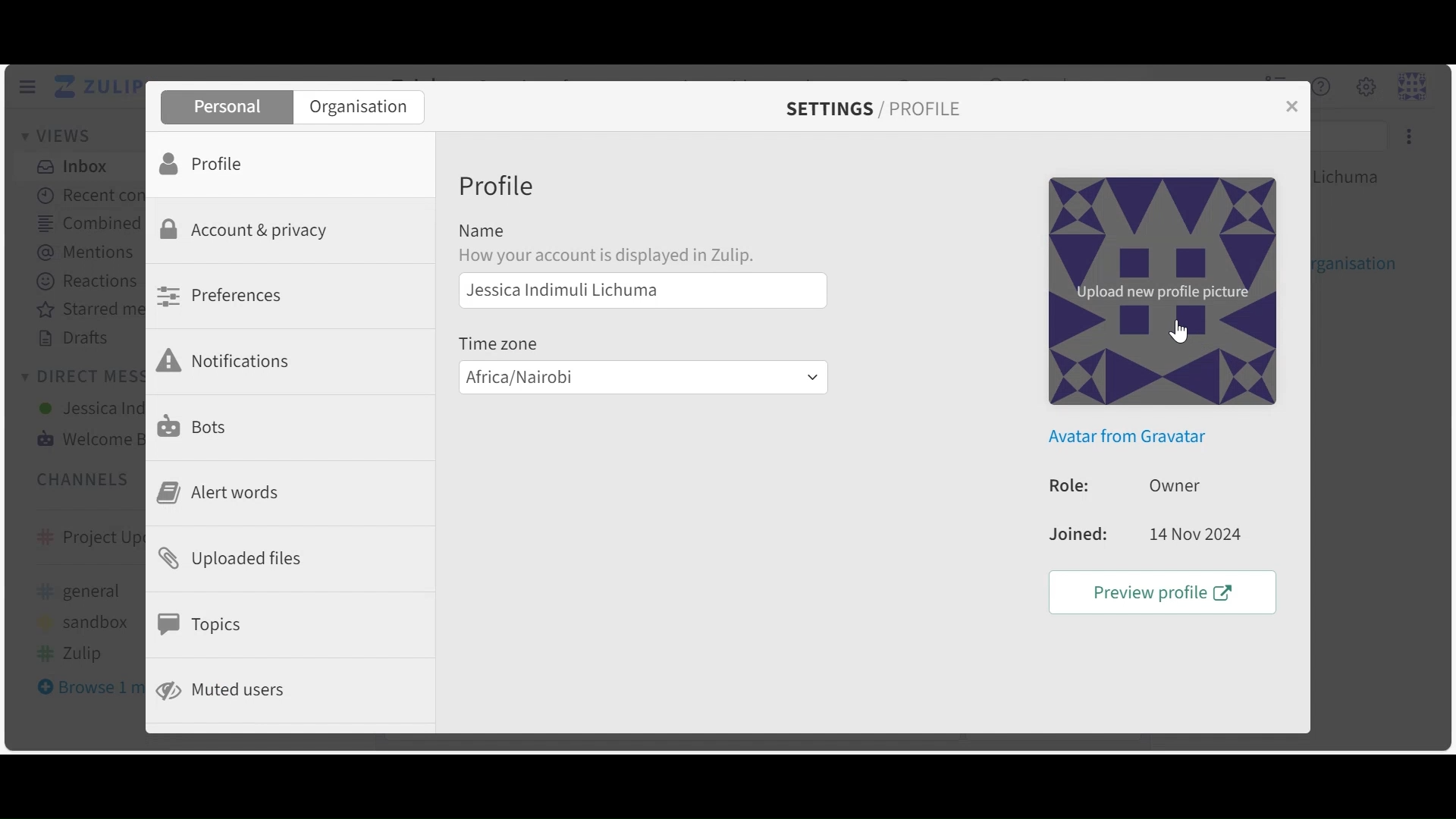  I want to click on Personal, so click(226, 105).